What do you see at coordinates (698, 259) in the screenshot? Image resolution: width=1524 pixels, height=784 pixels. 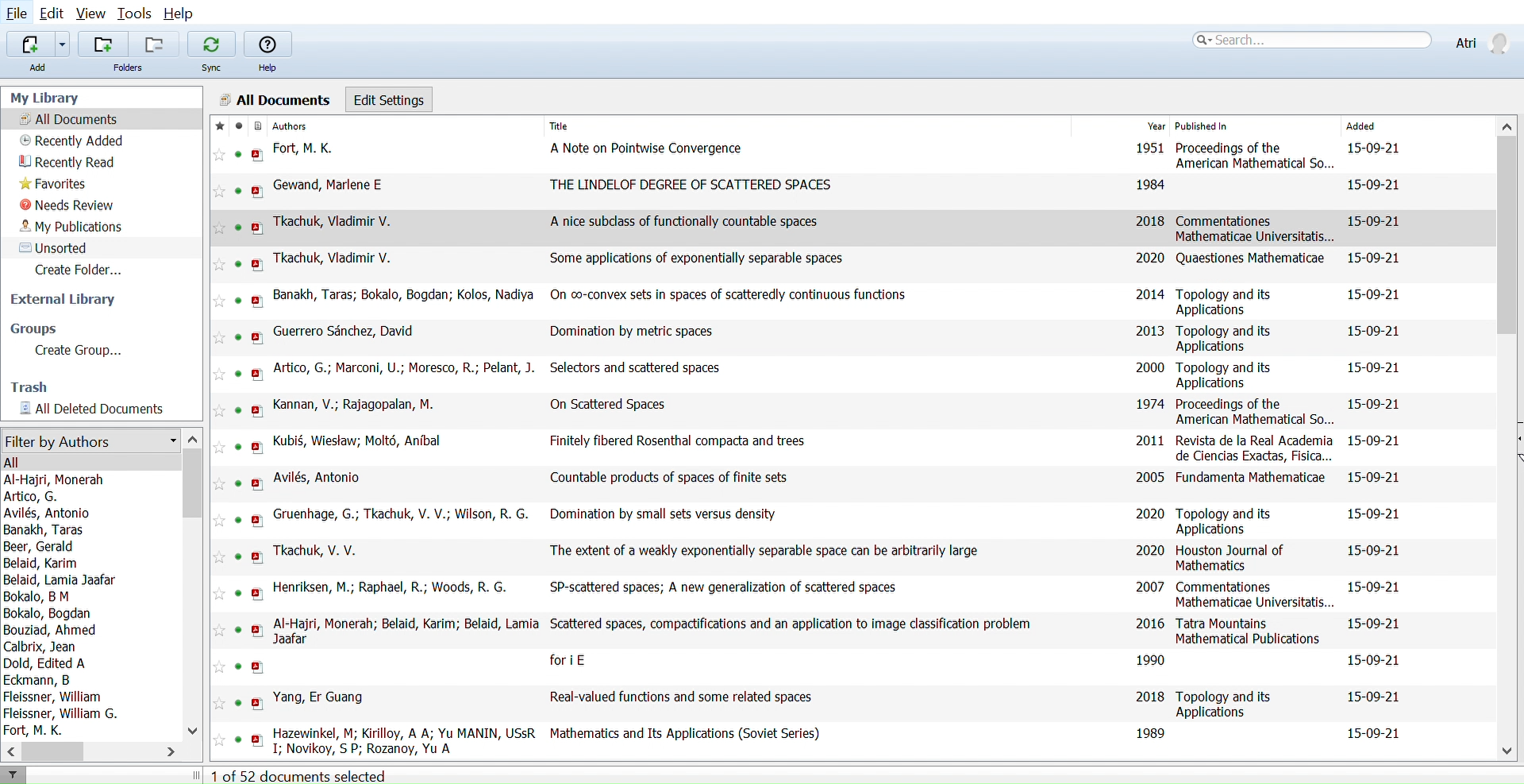 I see `Some applications of exponentially separable spaces` at bounding box center [698, 259].